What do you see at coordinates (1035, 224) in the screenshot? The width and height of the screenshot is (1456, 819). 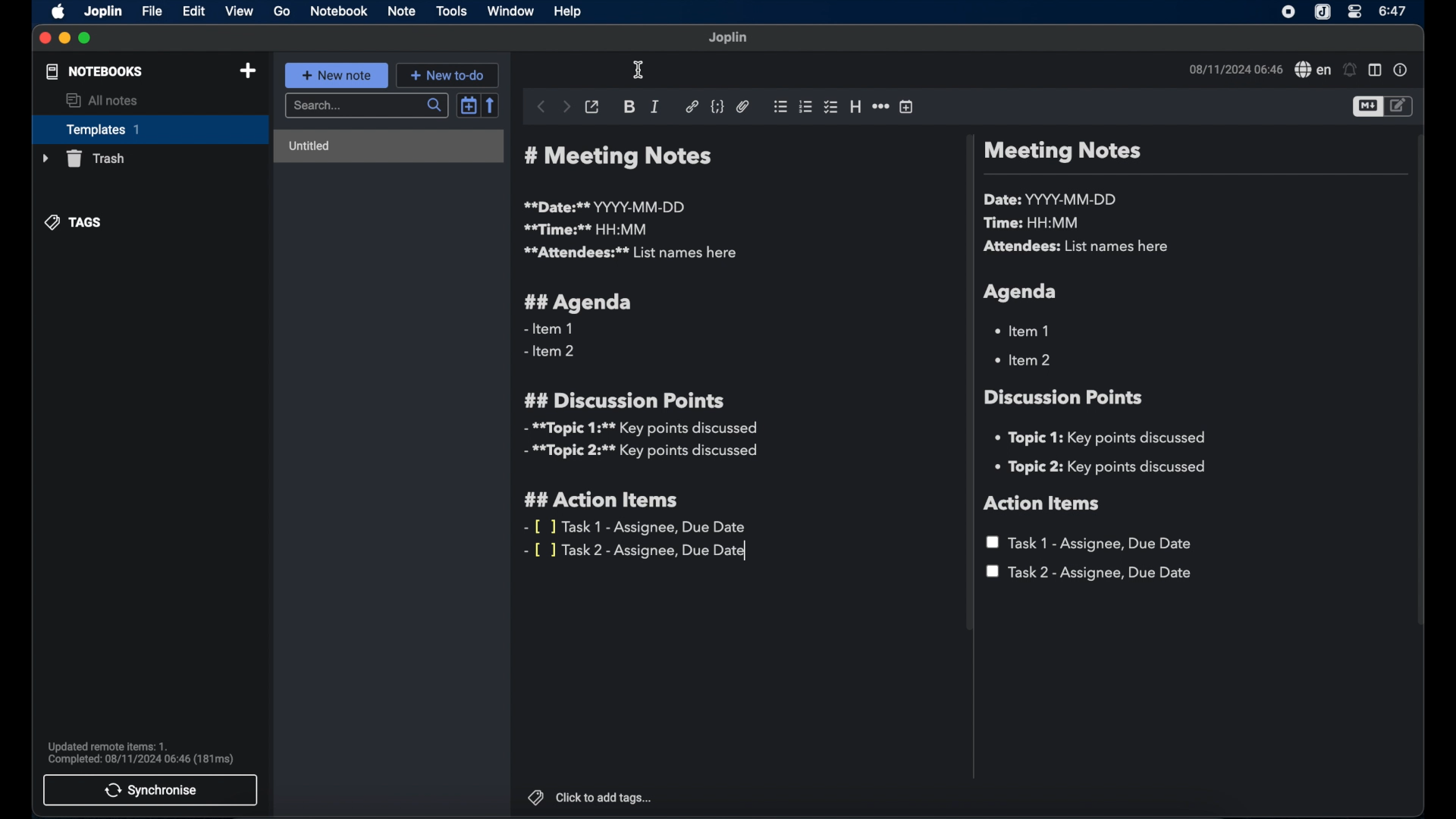 I see `time: HH:MM` at bounding box center [1035, 224].